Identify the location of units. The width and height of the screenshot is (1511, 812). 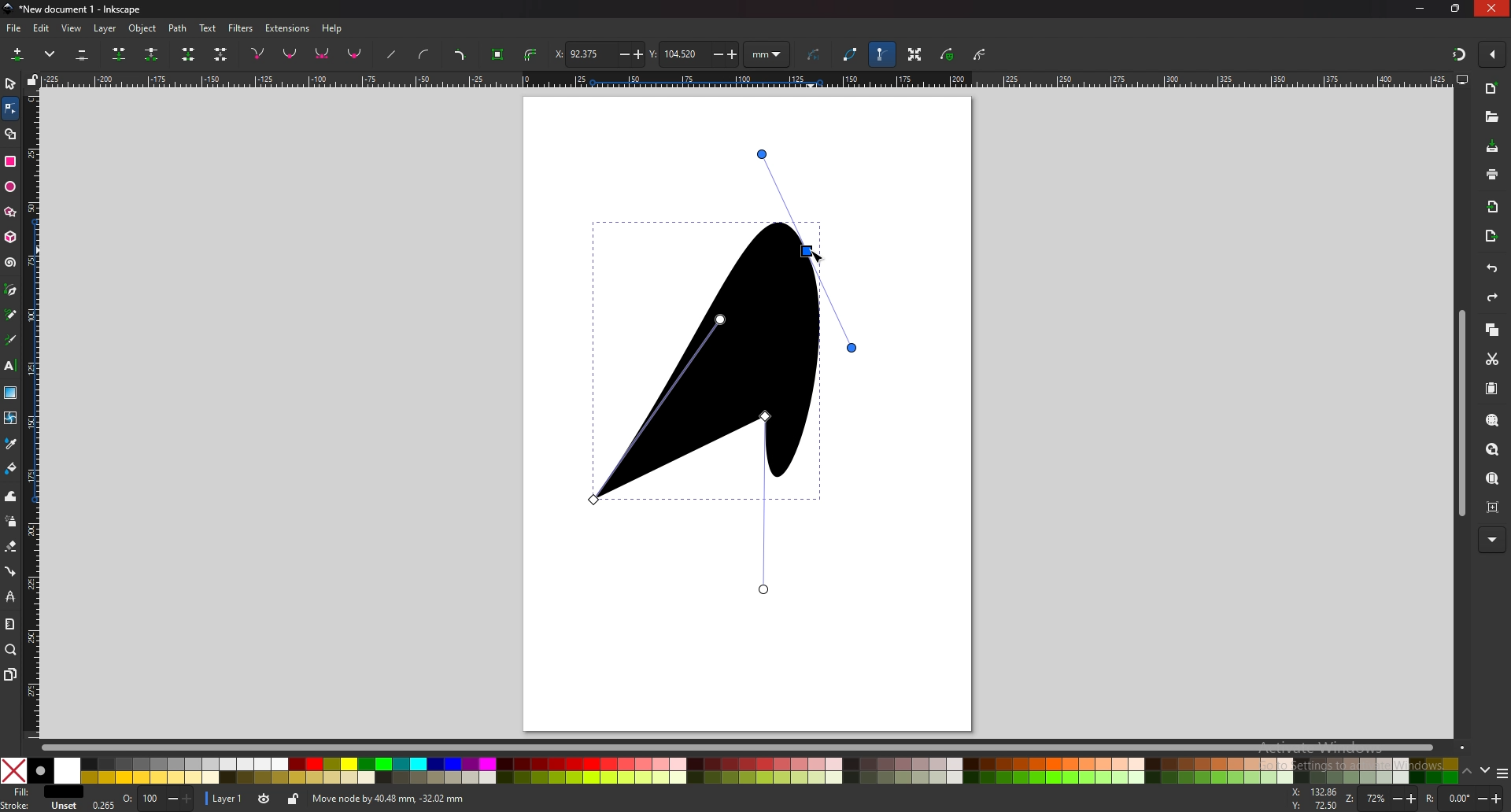
(767, 54).